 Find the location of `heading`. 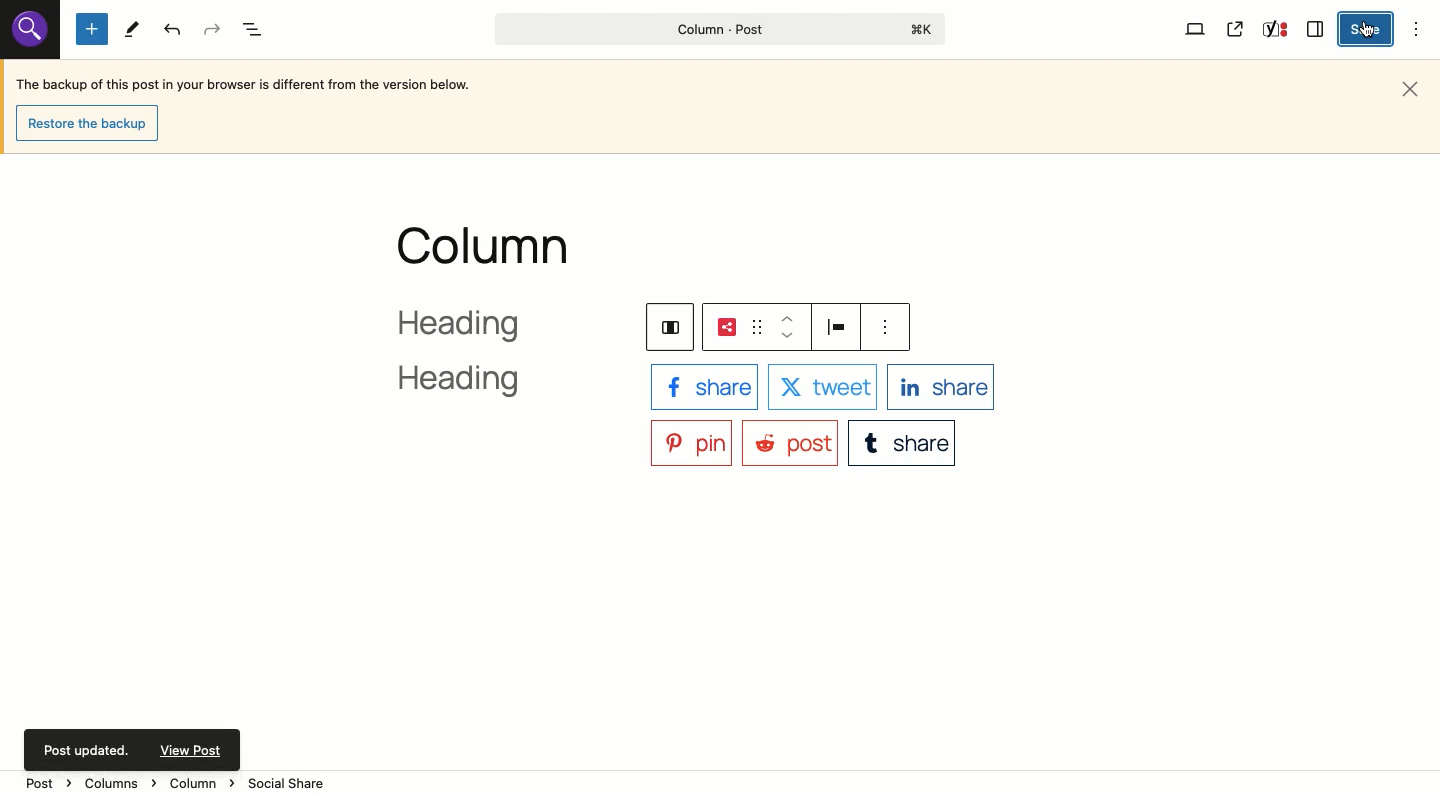

heading is located at coordinates (483, 356).